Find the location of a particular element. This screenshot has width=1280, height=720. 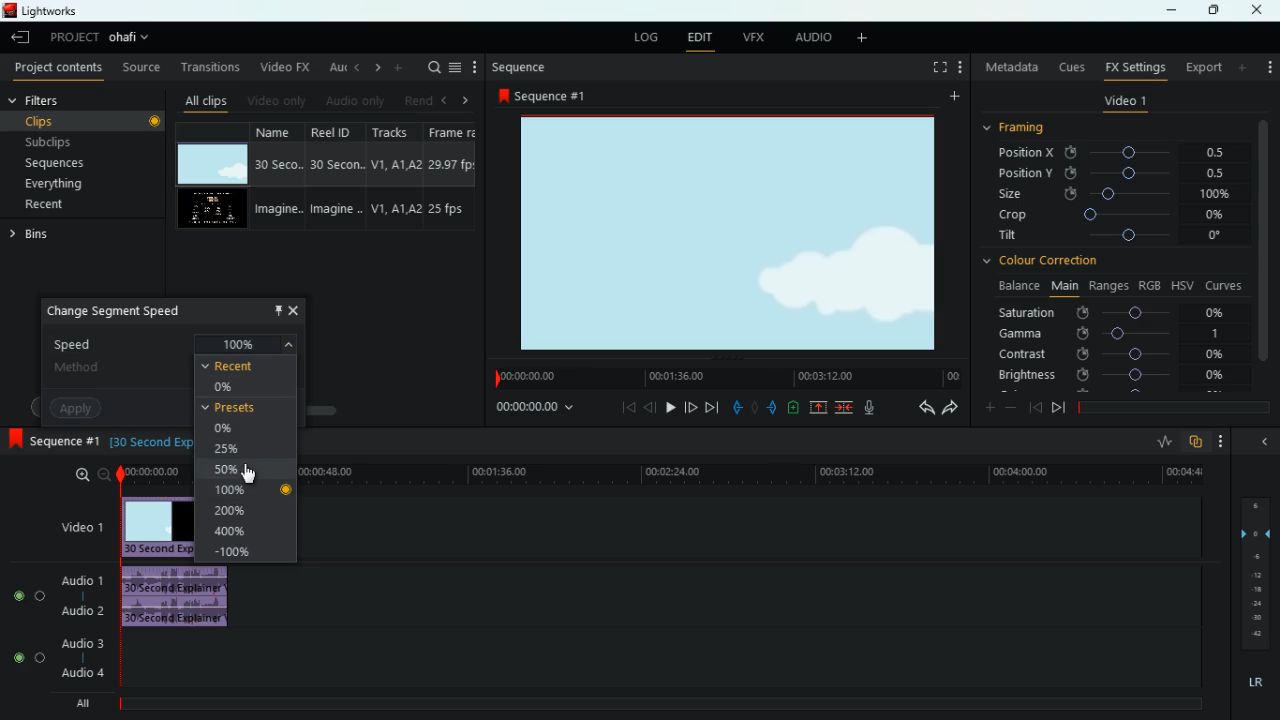

colour correction is located at coordinates (1045, 263).